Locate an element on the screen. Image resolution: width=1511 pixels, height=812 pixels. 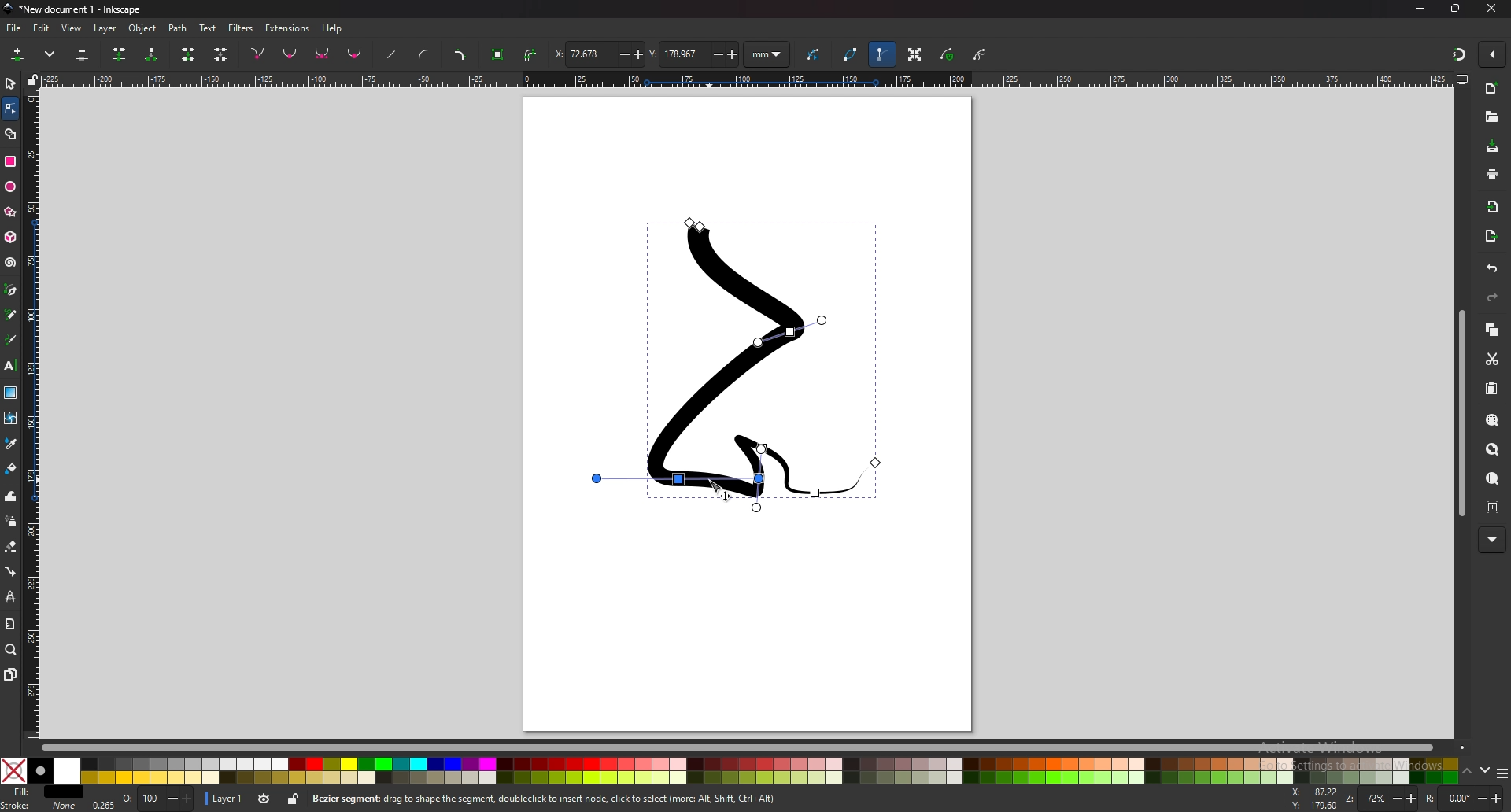
auto smooth is located at coordinates (356, 55).